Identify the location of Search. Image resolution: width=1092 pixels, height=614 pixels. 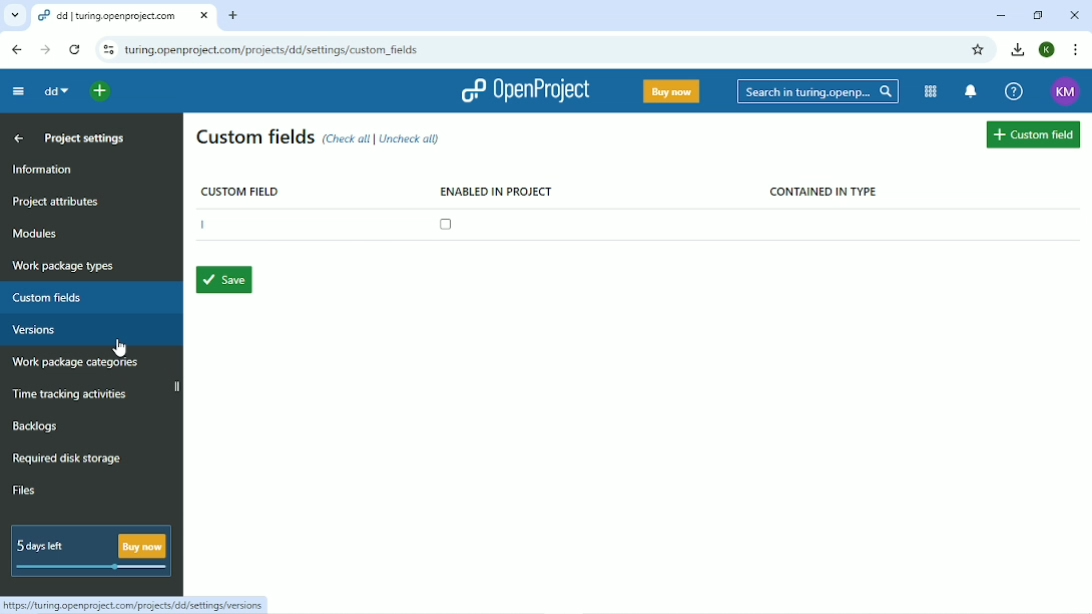
(819, 92).